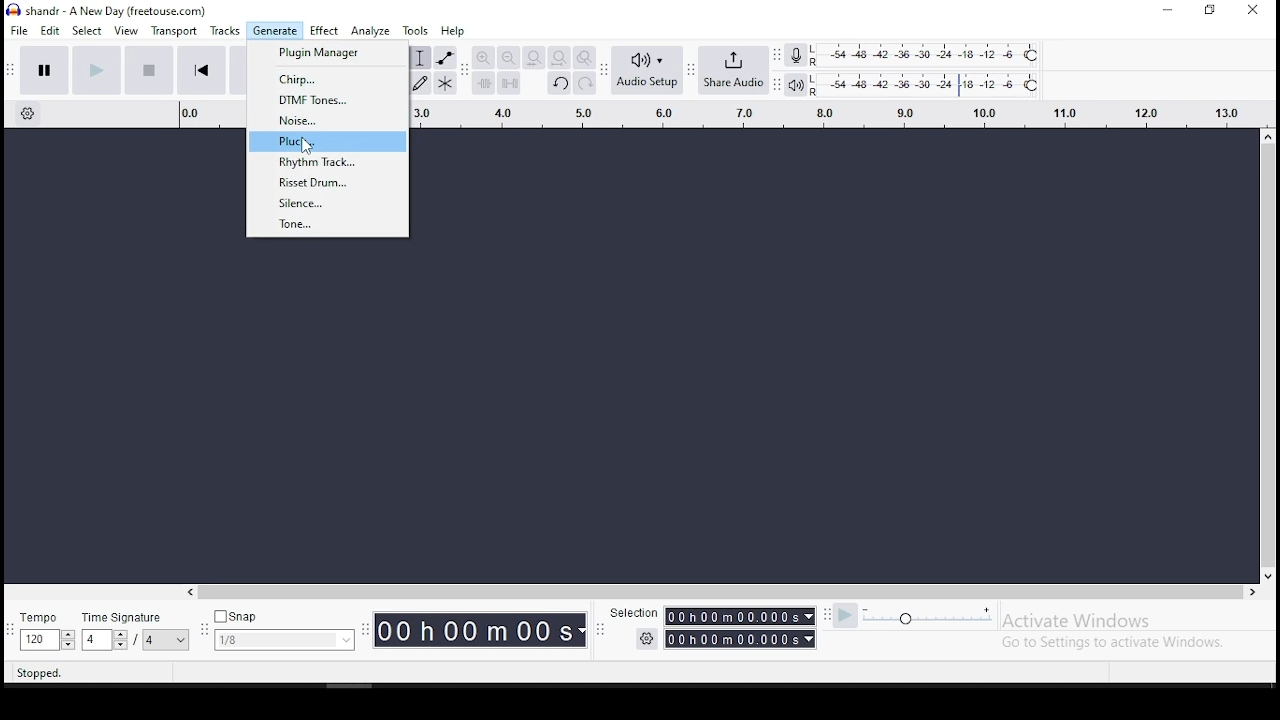 This screenshot has height=720, width=1280. What do you see at coordinates (418, 82) in the screenshot?
I see `draw tool` at bounding box center [418, 82].